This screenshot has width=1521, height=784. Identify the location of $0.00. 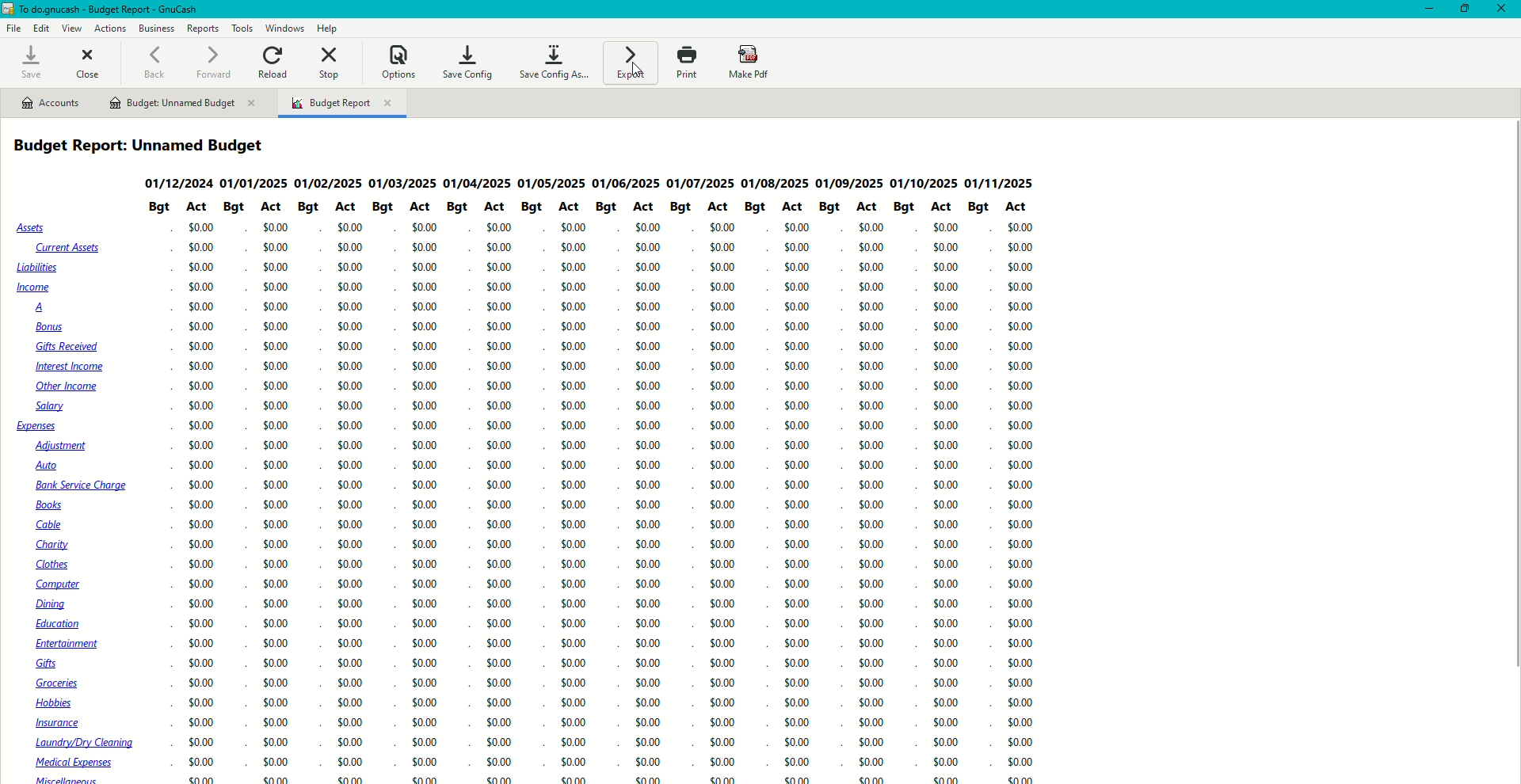
(649, 640).